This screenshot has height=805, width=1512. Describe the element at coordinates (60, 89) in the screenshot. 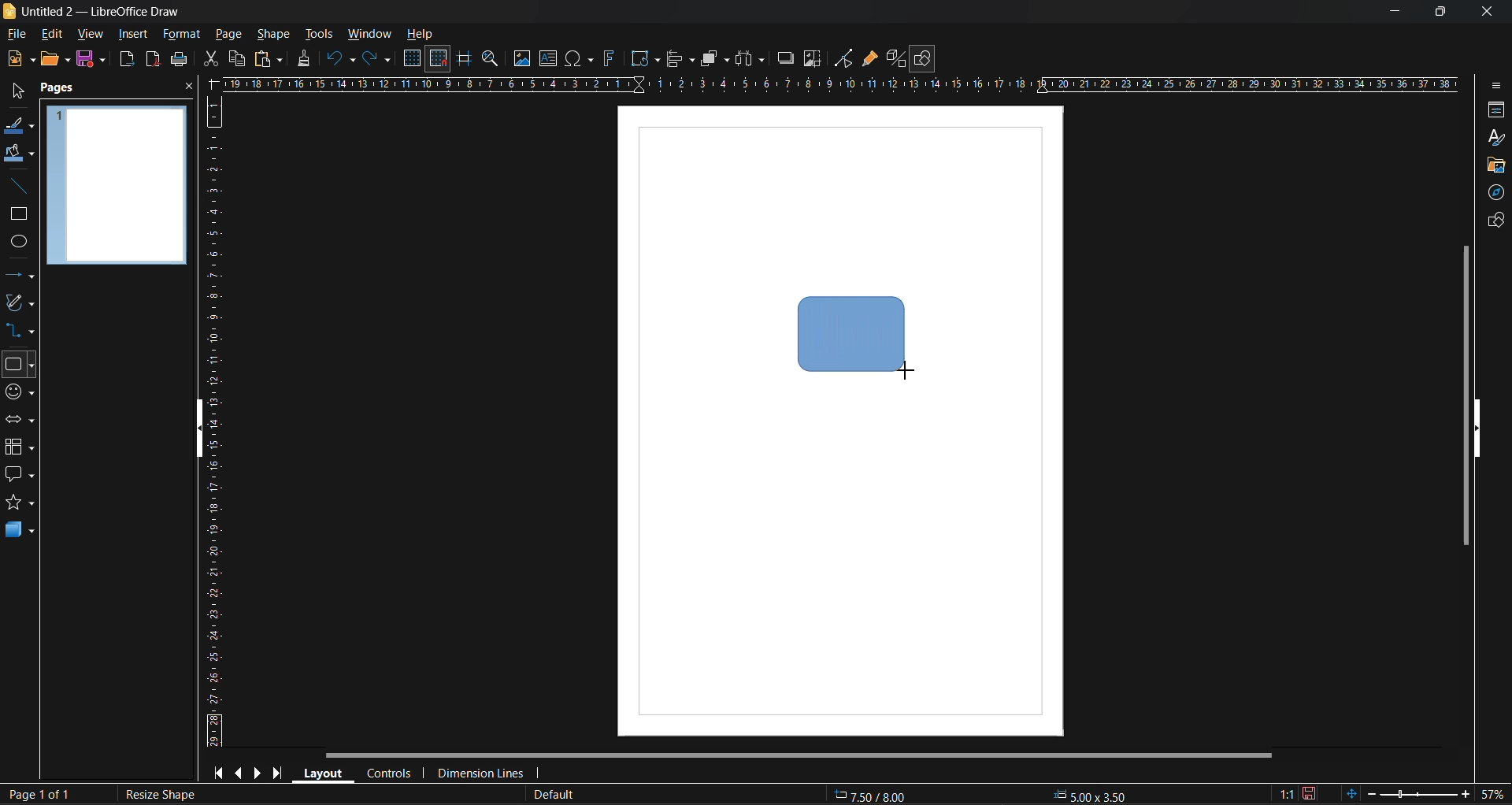

I see `pages` at that location.